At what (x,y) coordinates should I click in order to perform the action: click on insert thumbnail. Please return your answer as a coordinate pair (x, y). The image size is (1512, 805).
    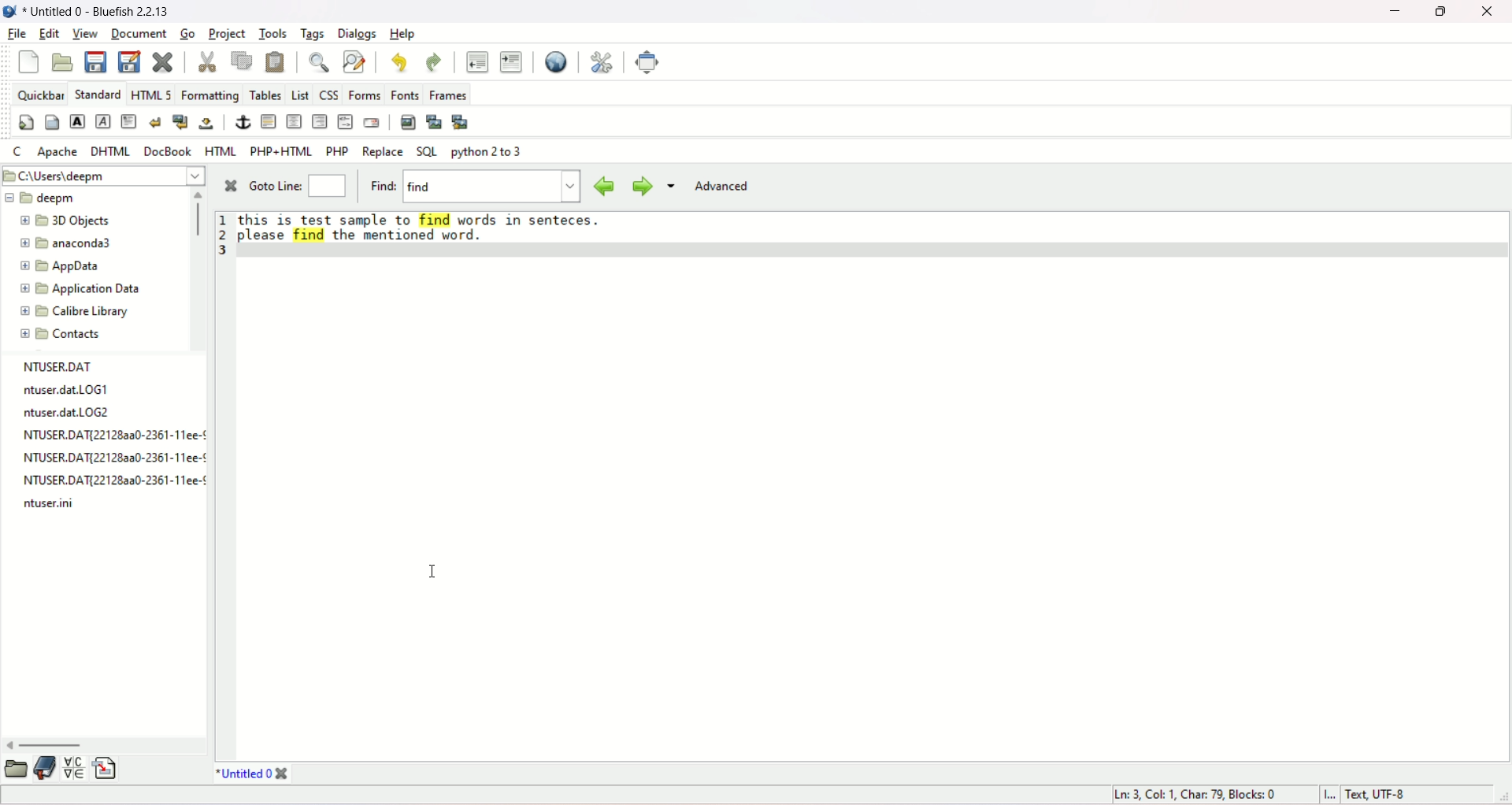
    Looking at the image, I should click on (434, 121).